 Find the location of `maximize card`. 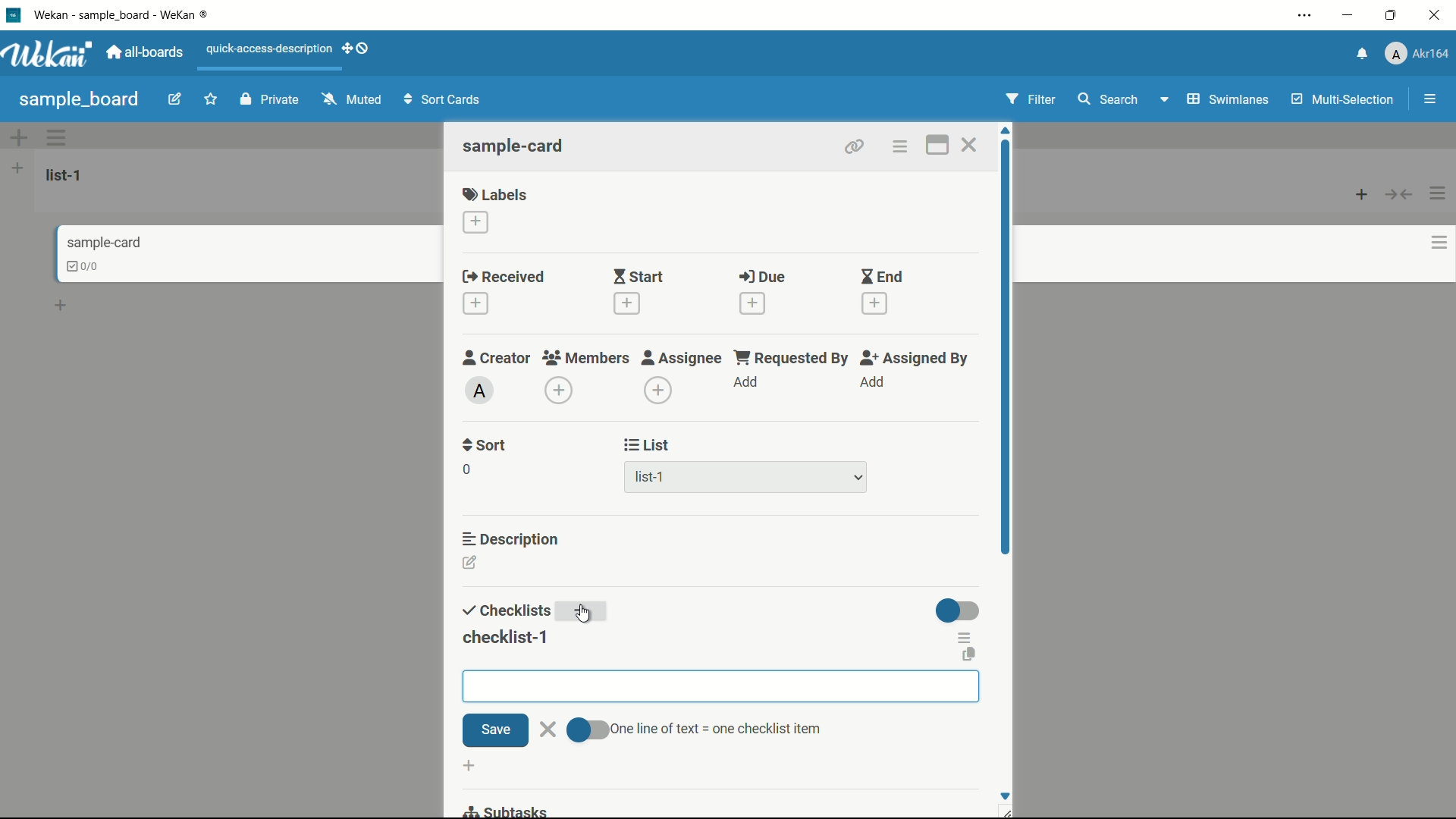

maximize card is located at coordinates (937, 147).